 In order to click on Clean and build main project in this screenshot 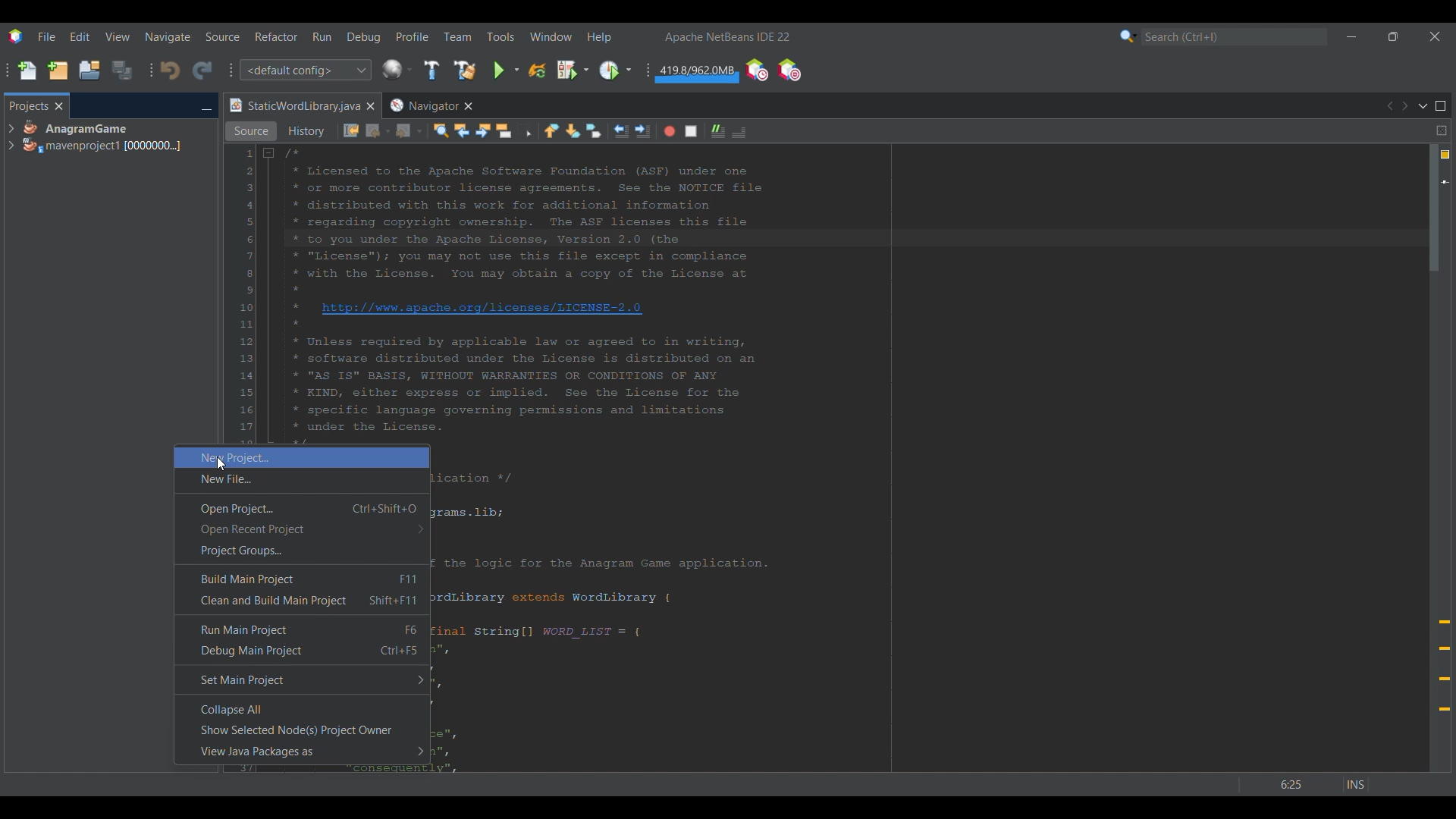, I will do `click(464, 70)`.